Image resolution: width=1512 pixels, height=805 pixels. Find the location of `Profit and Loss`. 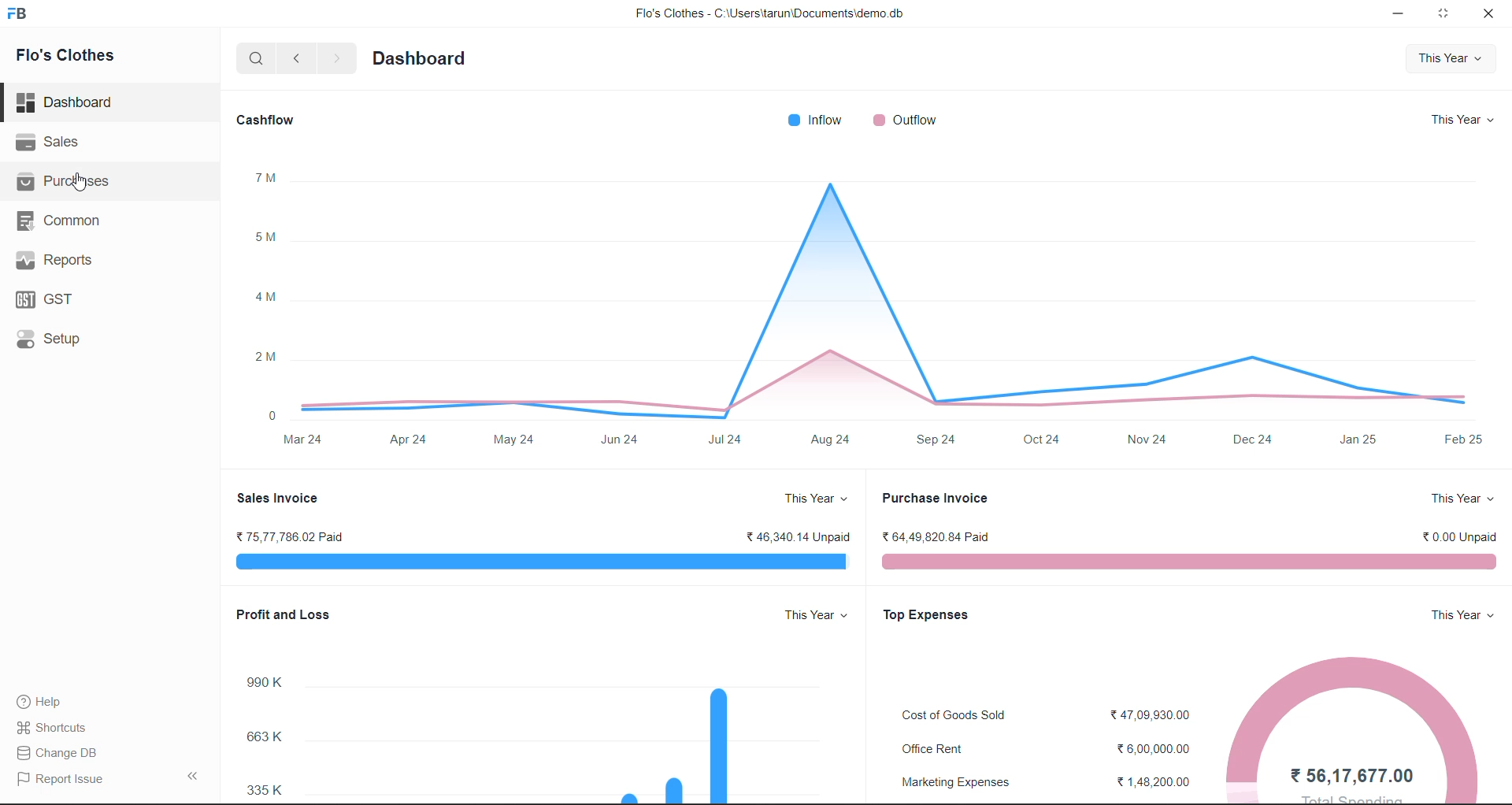

Profit and Loss is located at coordinates (291, 614).